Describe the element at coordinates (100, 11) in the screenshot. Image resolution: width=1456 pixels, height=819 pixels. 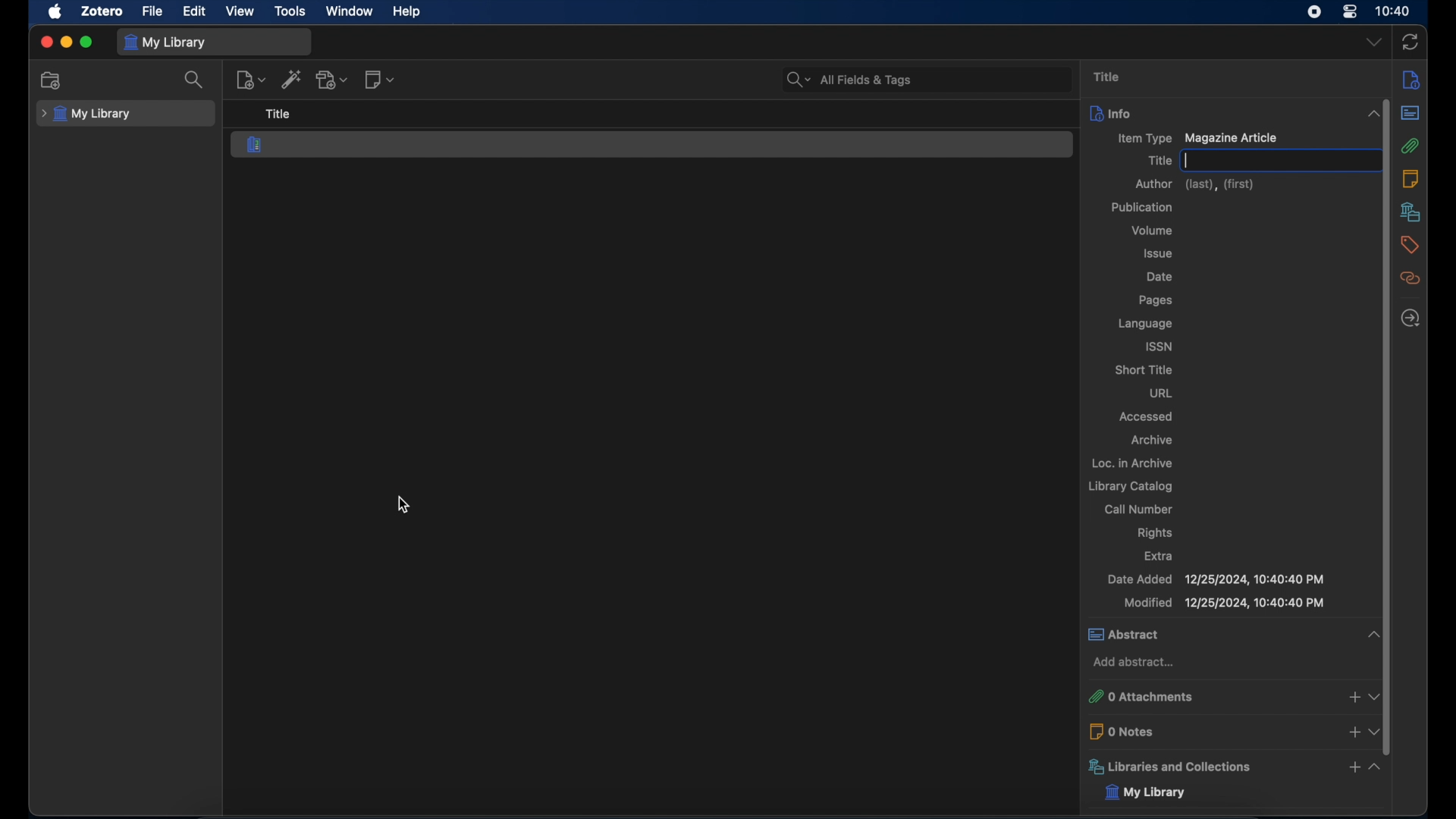
I see `zotero` at that location.